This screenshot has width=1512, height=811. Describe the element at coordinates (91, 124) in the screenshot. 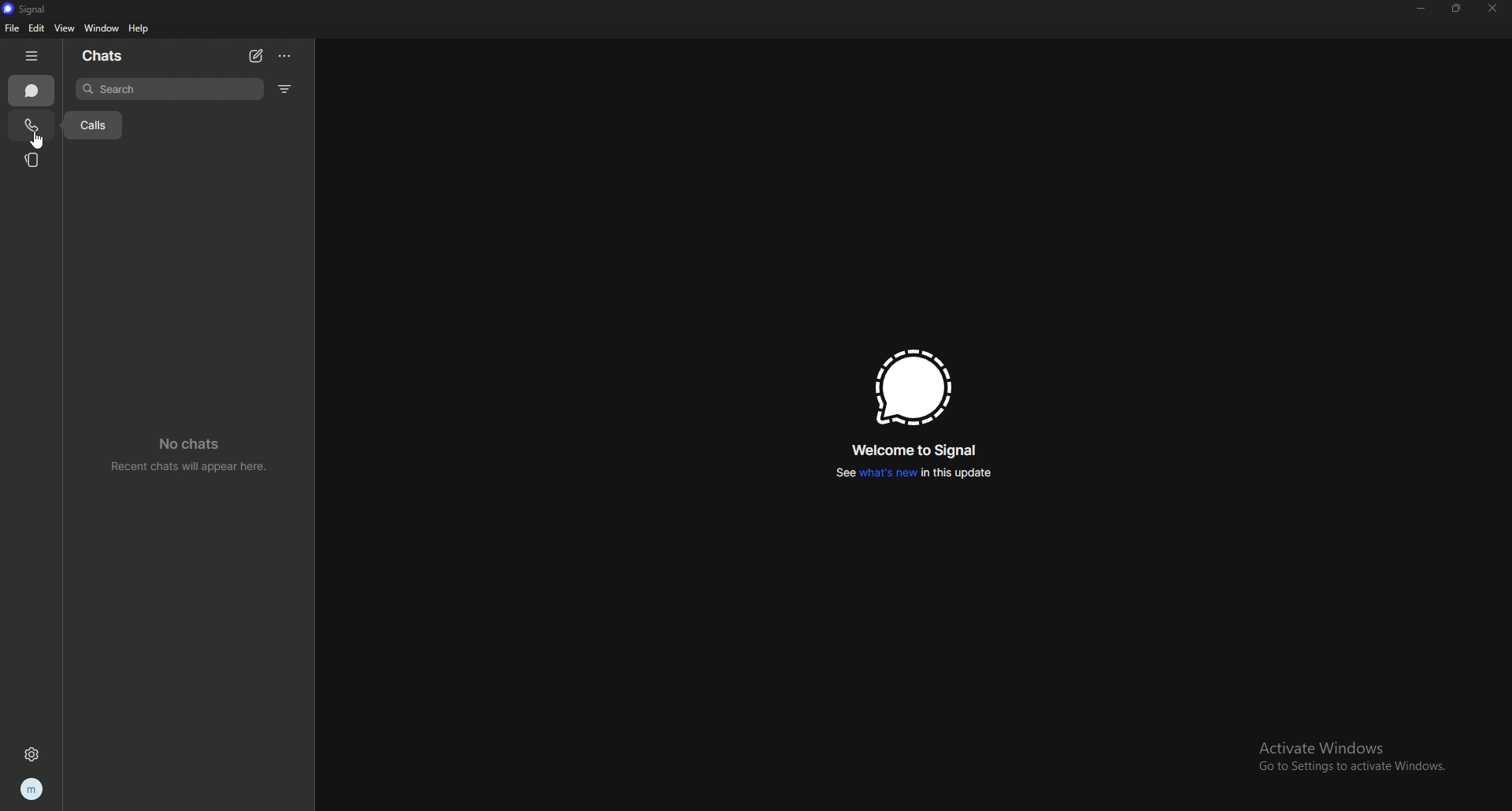

I see `calls` at that location.